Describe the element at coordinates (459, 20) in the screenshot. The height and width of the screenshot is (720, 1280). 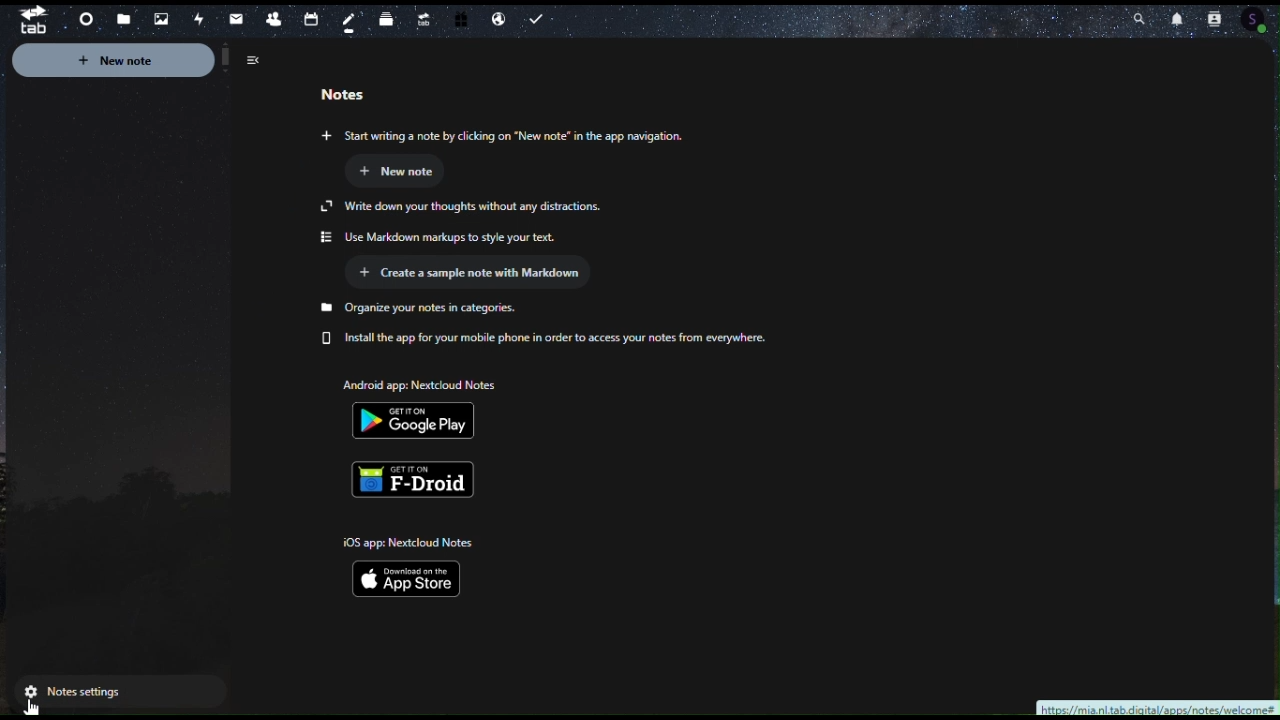
I see `Free trial` at that location.